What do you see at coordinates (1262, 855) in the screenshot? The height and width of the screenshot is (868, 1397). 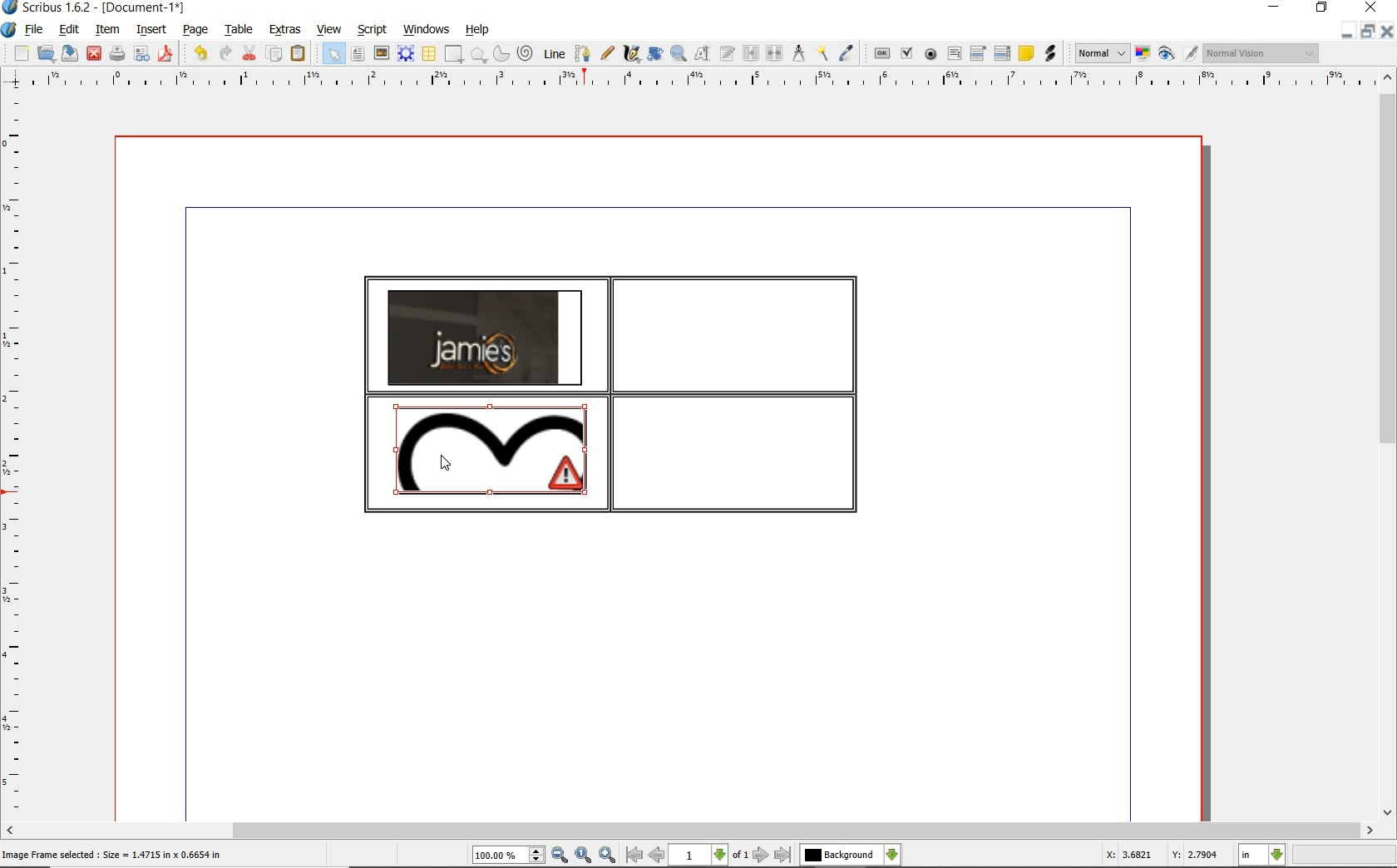 I see `select measurement` at bounding box center [1262, 855].